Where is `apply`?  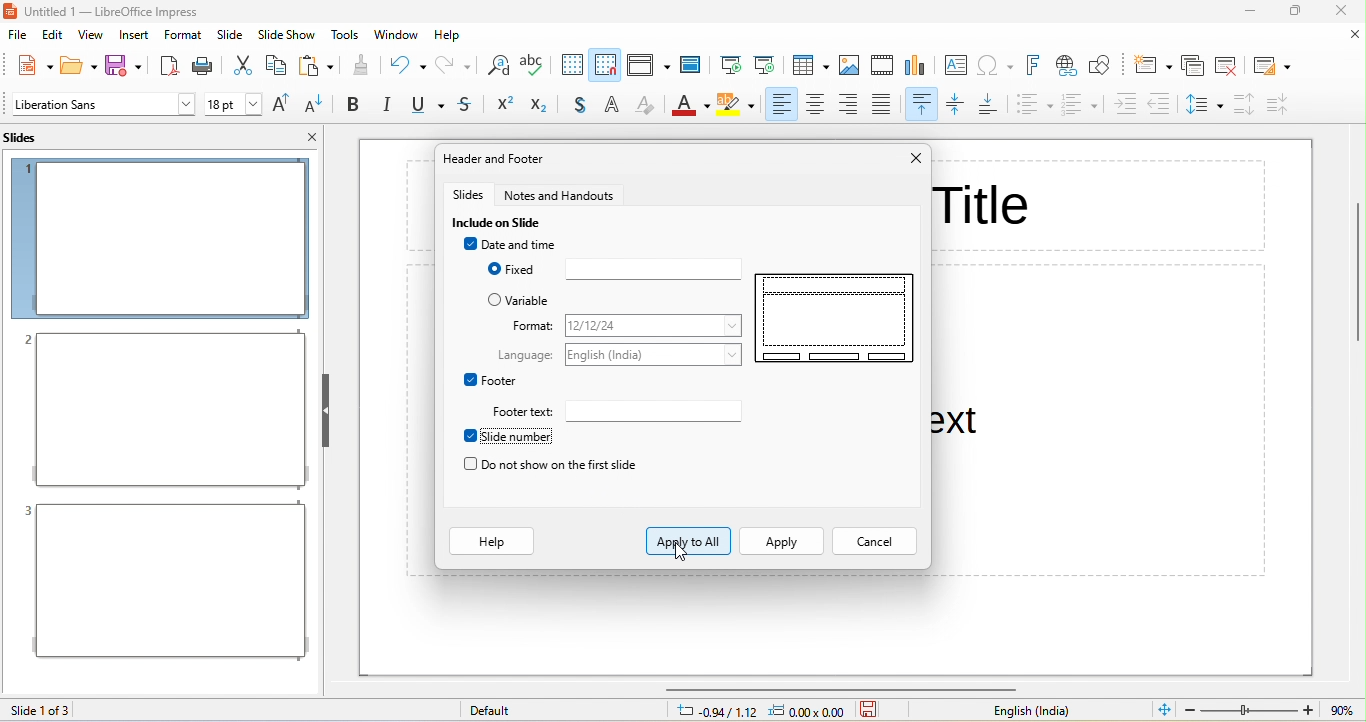
apply is located at coordinates (780, 542).